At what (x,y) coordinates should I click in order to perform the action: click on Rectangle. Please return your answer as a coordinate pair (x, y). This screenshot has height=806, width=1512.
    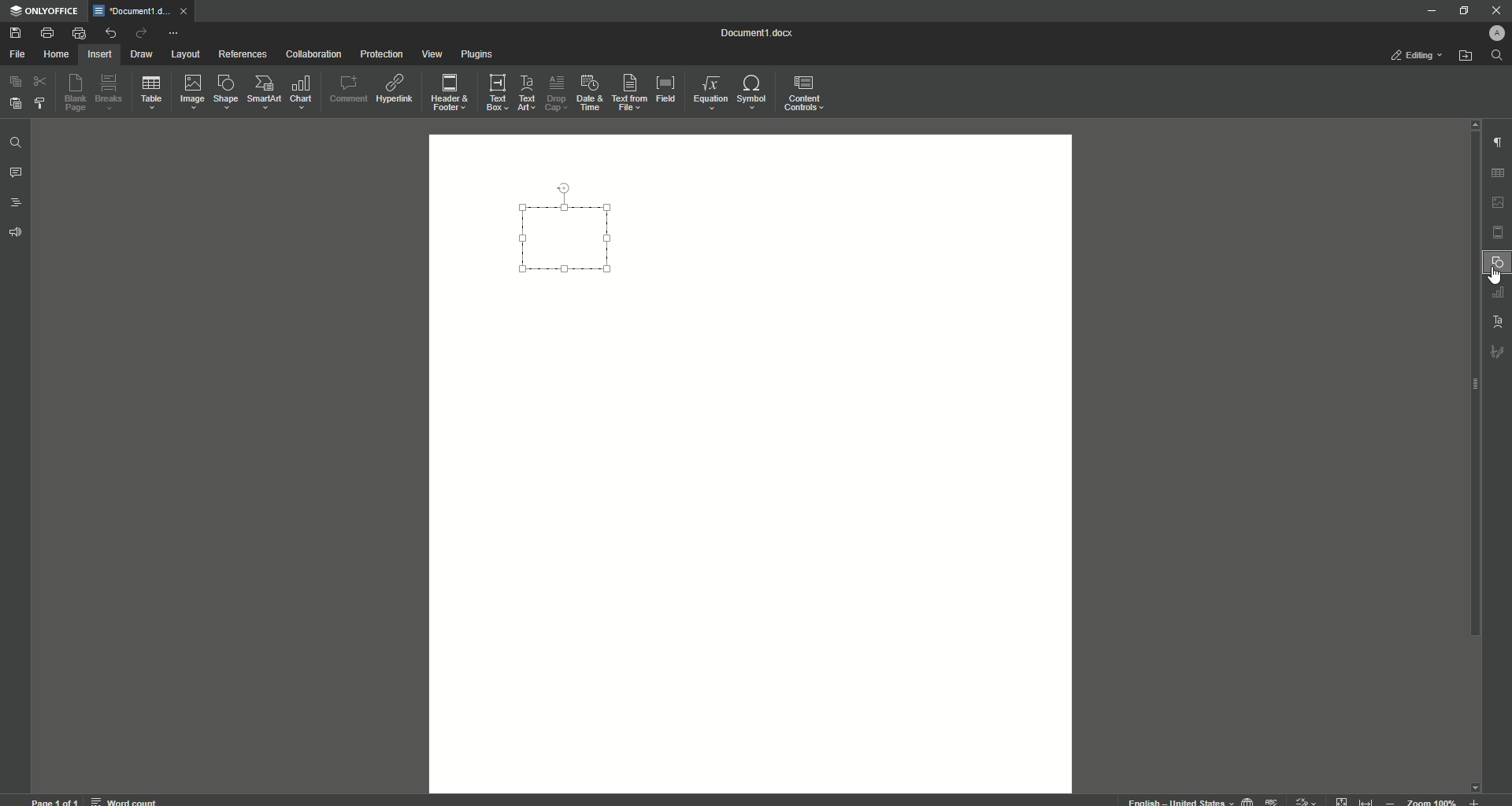
    Looking at the image, I should click on (567, 238).